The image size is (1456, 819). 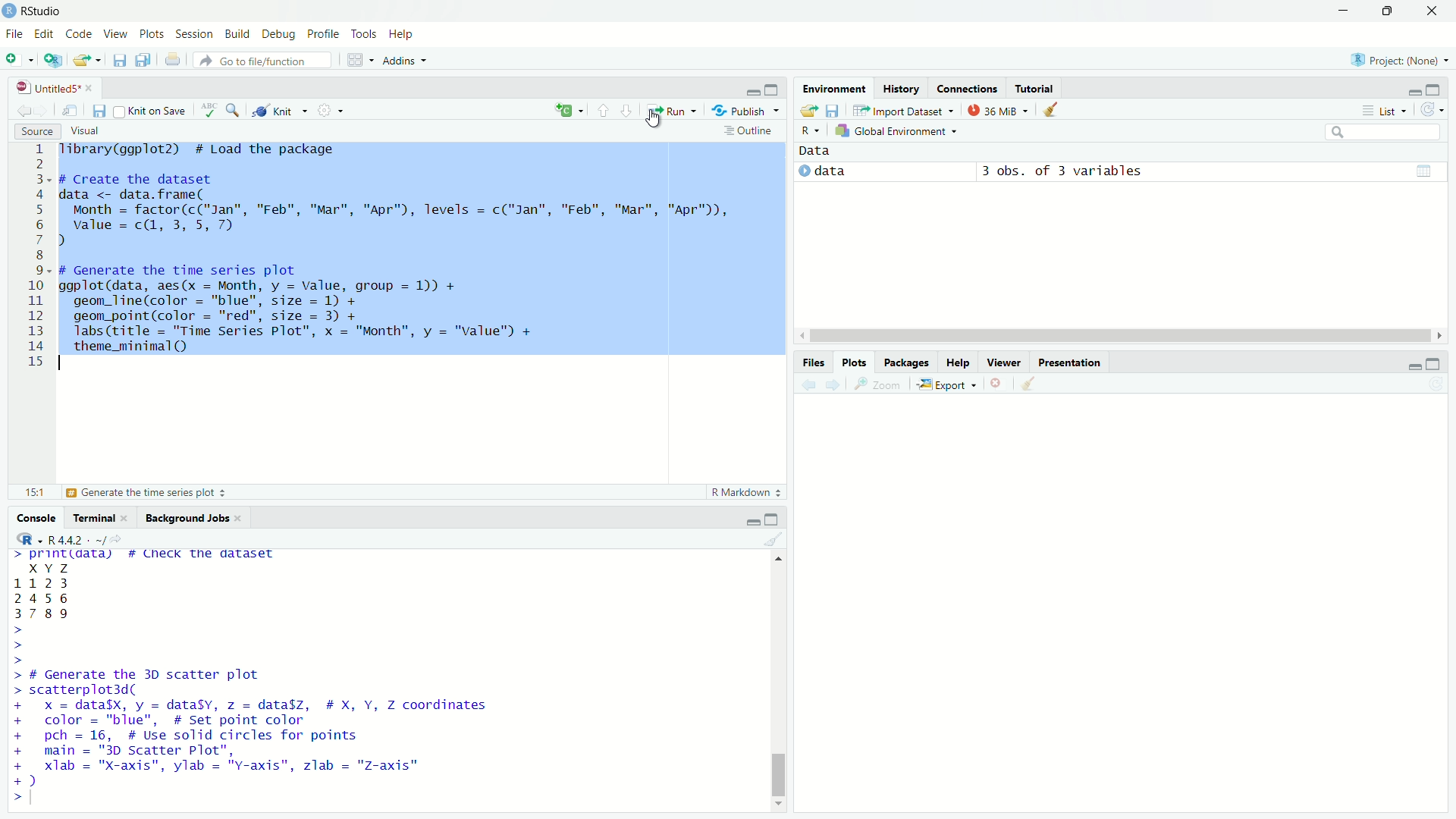 What do you see at coordinates (185, 516) in the screenshot?
I see `background jobs` at bounding box center [185, 516].